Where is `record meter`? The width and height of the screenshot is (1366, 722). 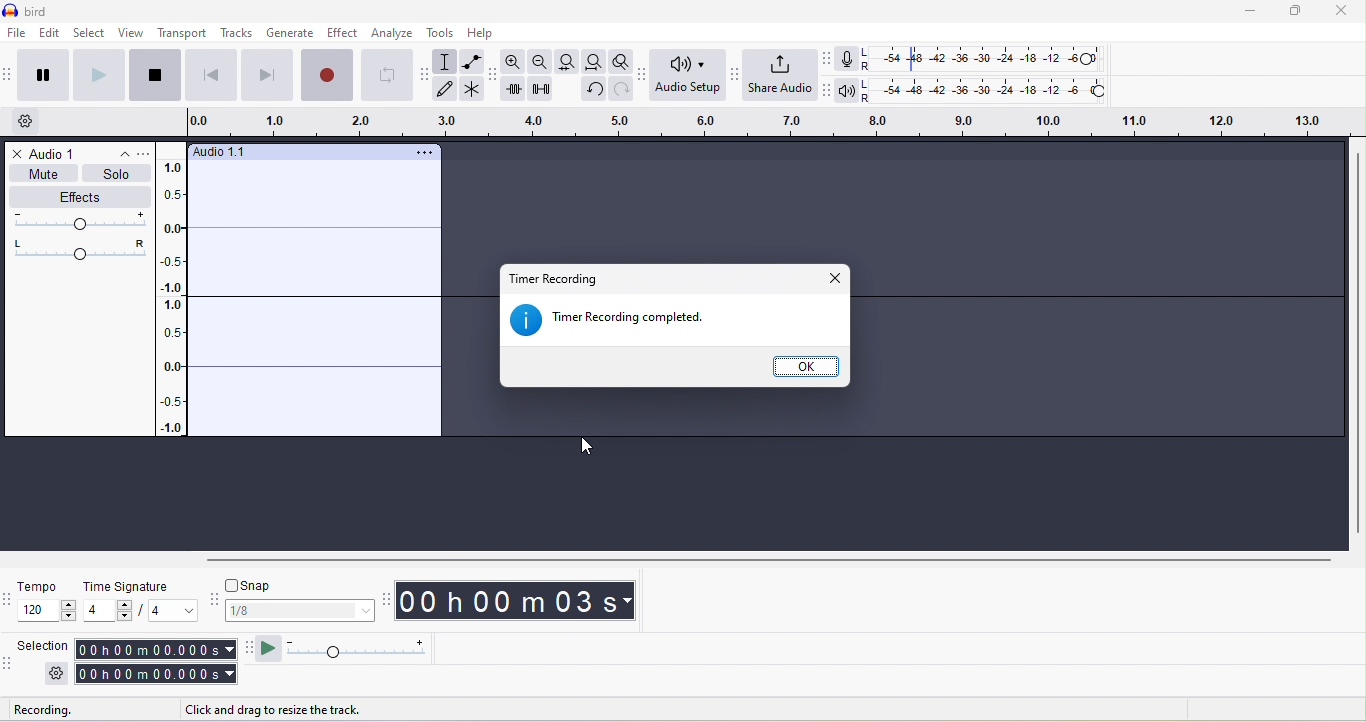
record meter is located at coordinates (848, 59).